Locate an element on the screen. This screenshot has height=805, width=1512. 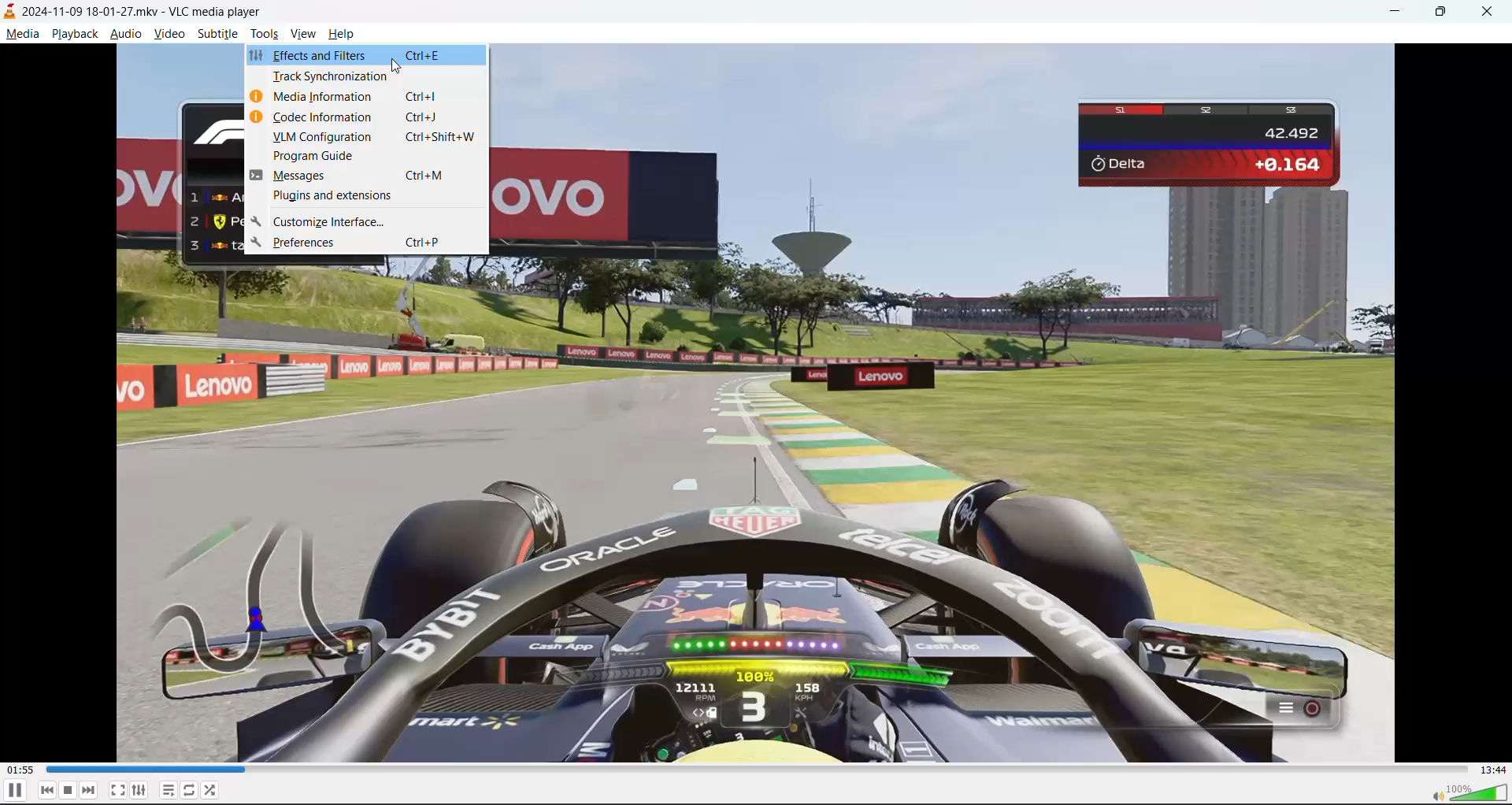
track and app name is located at coordinates (134, 9).